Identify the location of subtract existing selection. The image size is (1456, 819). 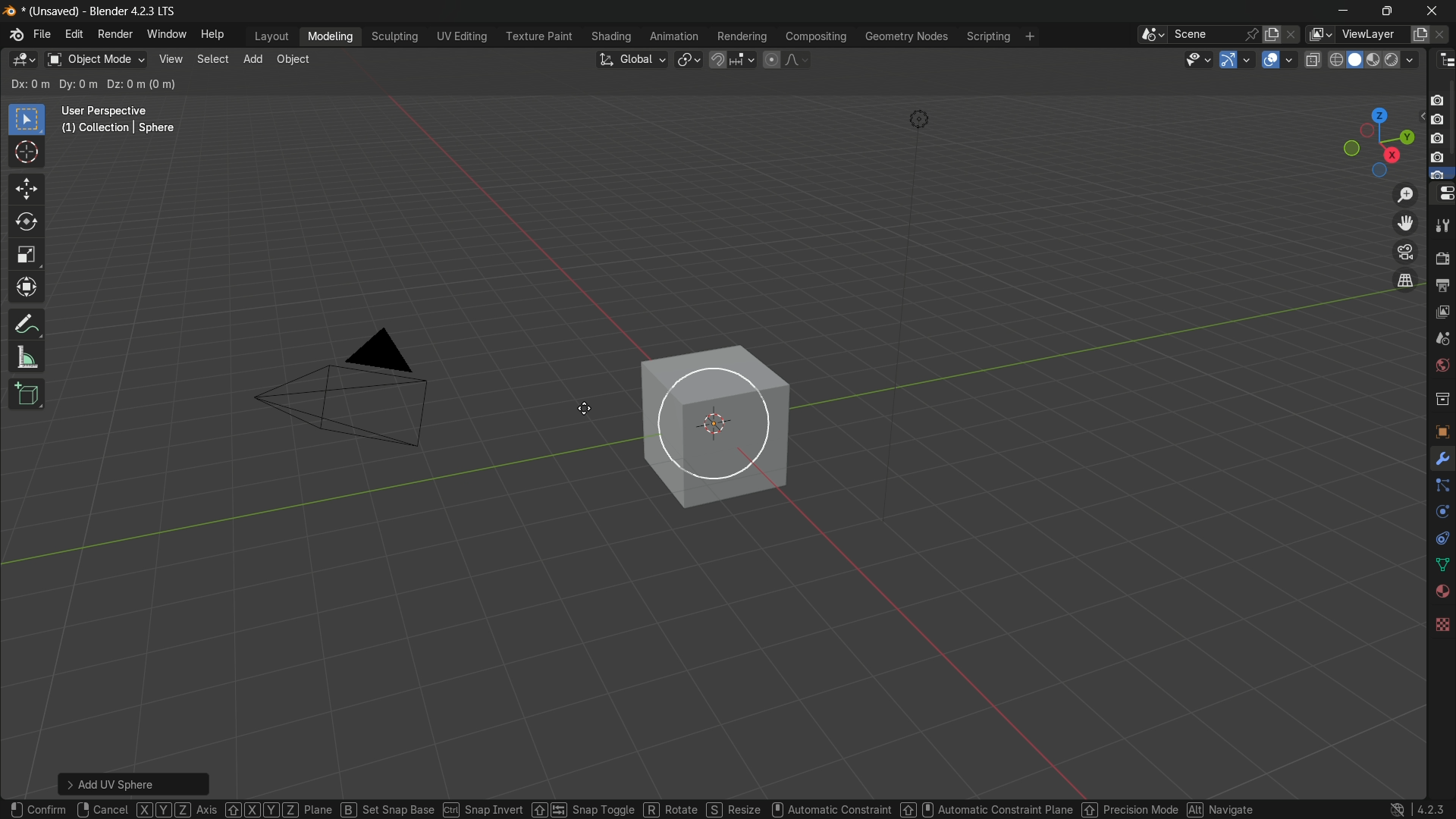
(55, 83).